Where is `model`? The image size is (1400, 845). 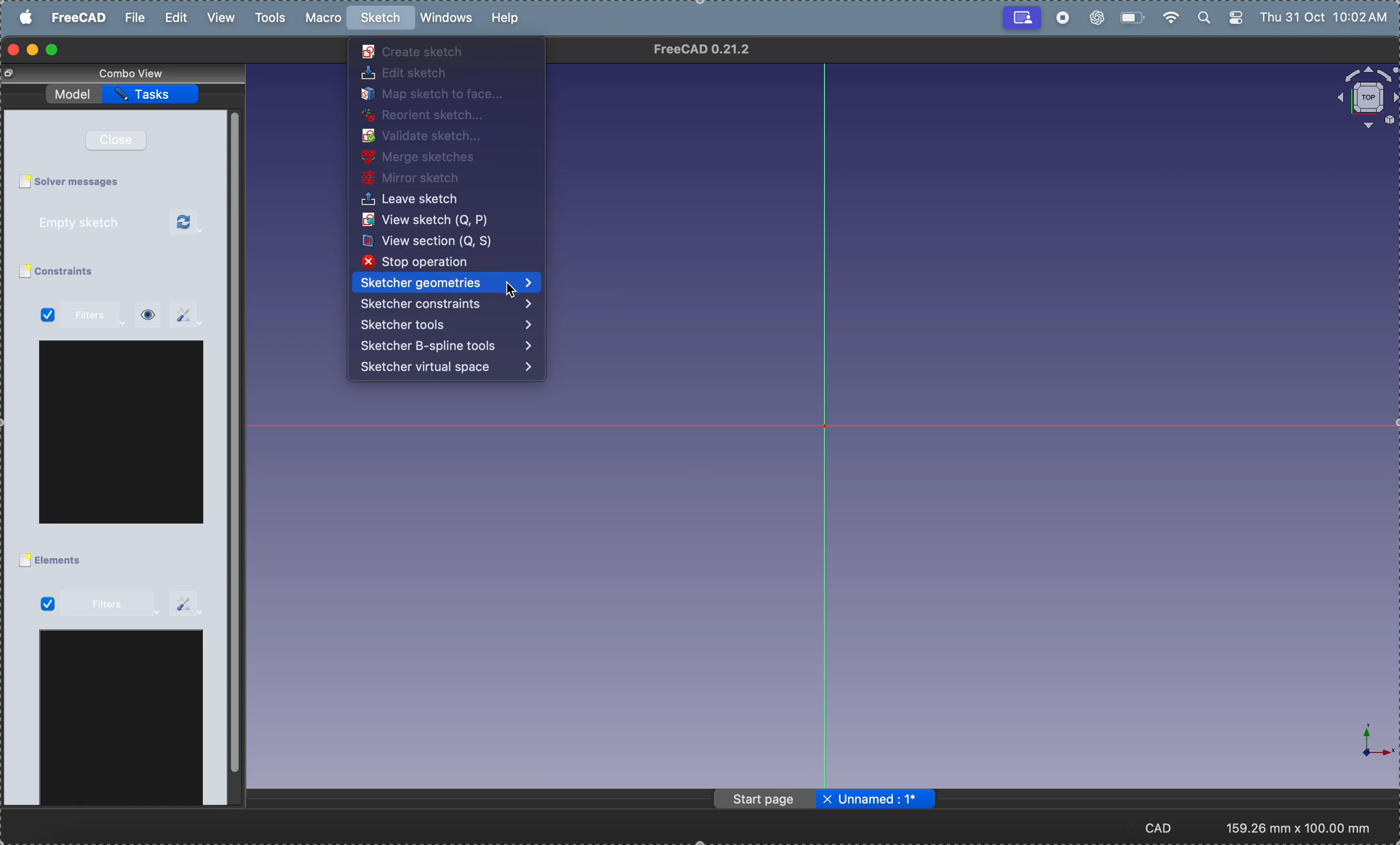
model is located at coordinates (74, 92).